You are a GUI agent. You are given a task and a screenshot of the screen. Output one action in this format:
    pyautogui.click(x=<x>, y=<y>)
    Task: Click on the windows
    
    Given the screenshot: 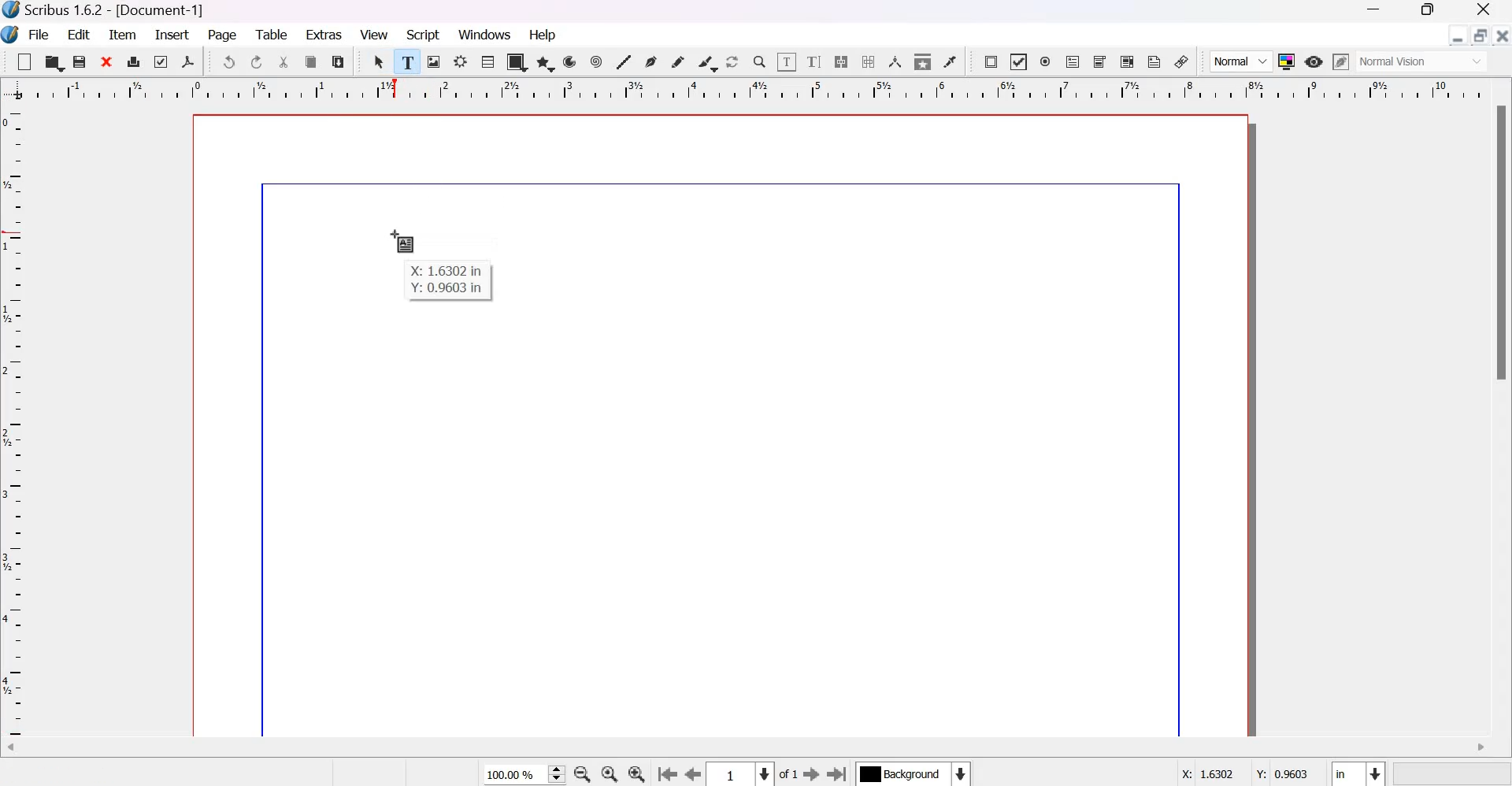 What is the action you would take?
    pyautogui.click(x=487, y=35)
    